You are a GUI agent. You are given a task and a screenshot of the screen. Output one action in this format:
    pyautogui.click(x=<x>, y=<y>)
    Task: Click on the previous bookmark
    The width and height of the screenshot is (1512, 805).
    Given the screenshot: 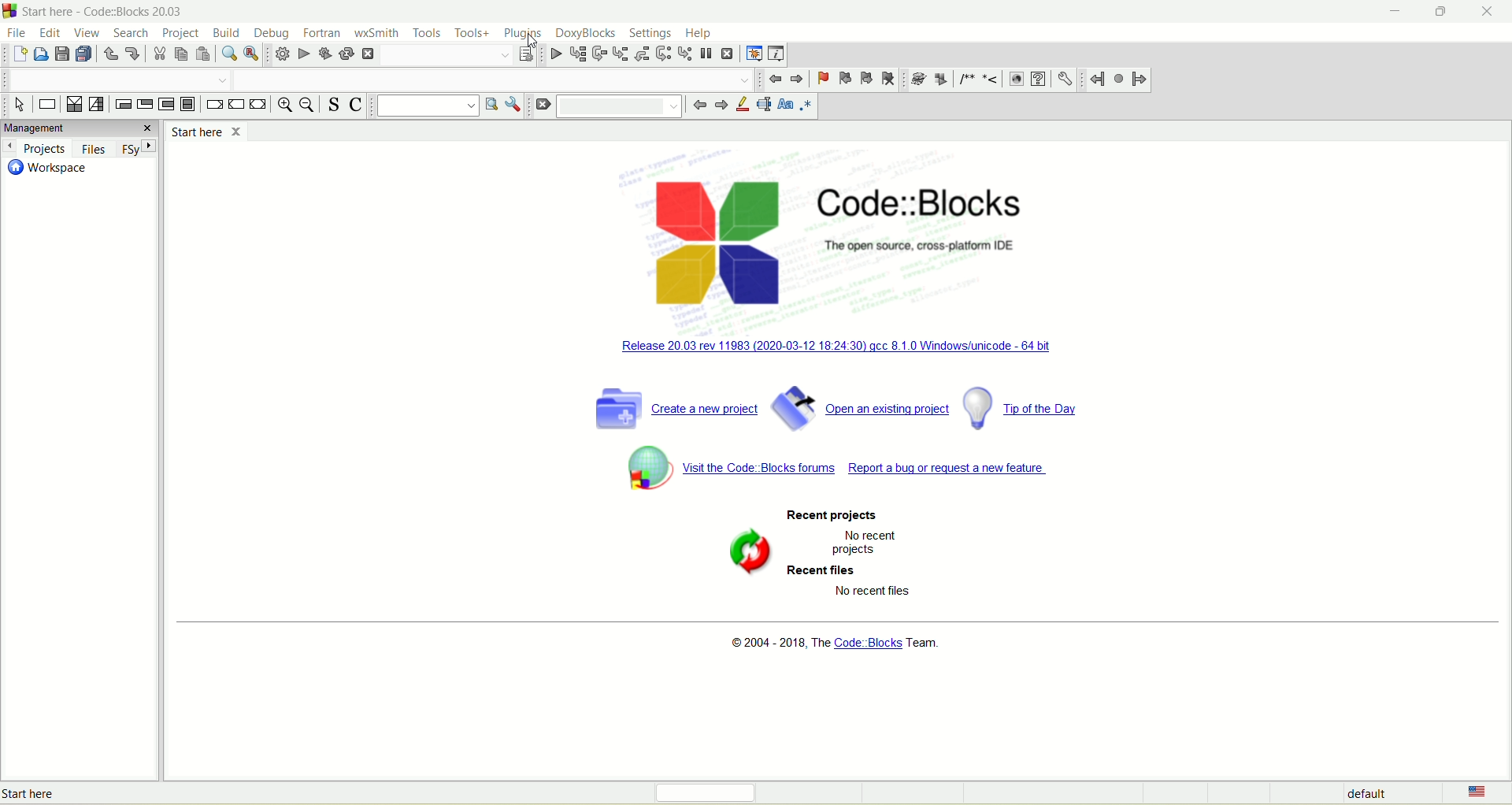 What is the action you would take?
    pyautogui.click(x=845, y=78)
    